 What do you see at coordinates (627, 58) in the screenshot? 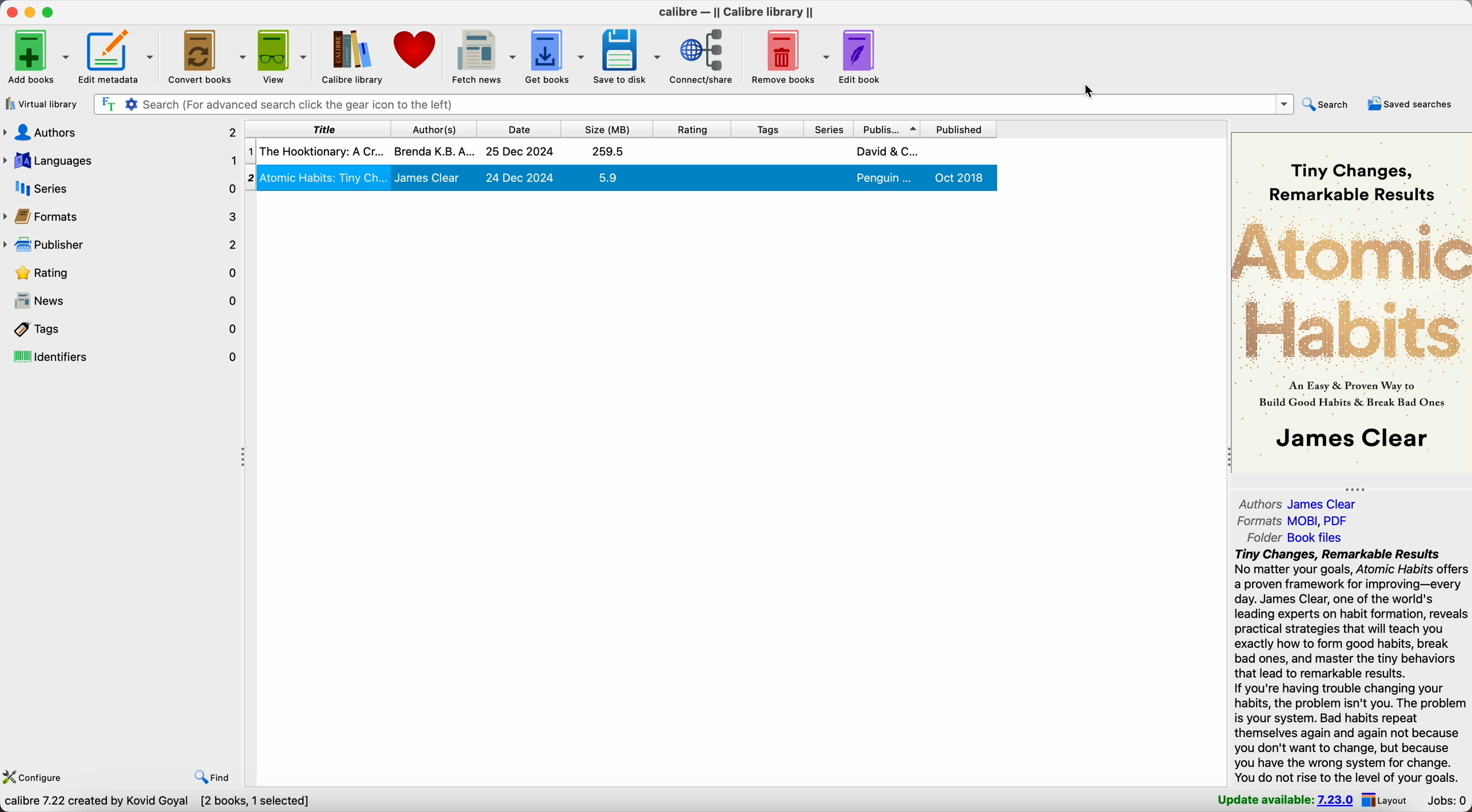
I see `save to disk` at bounding box center [627, 58].